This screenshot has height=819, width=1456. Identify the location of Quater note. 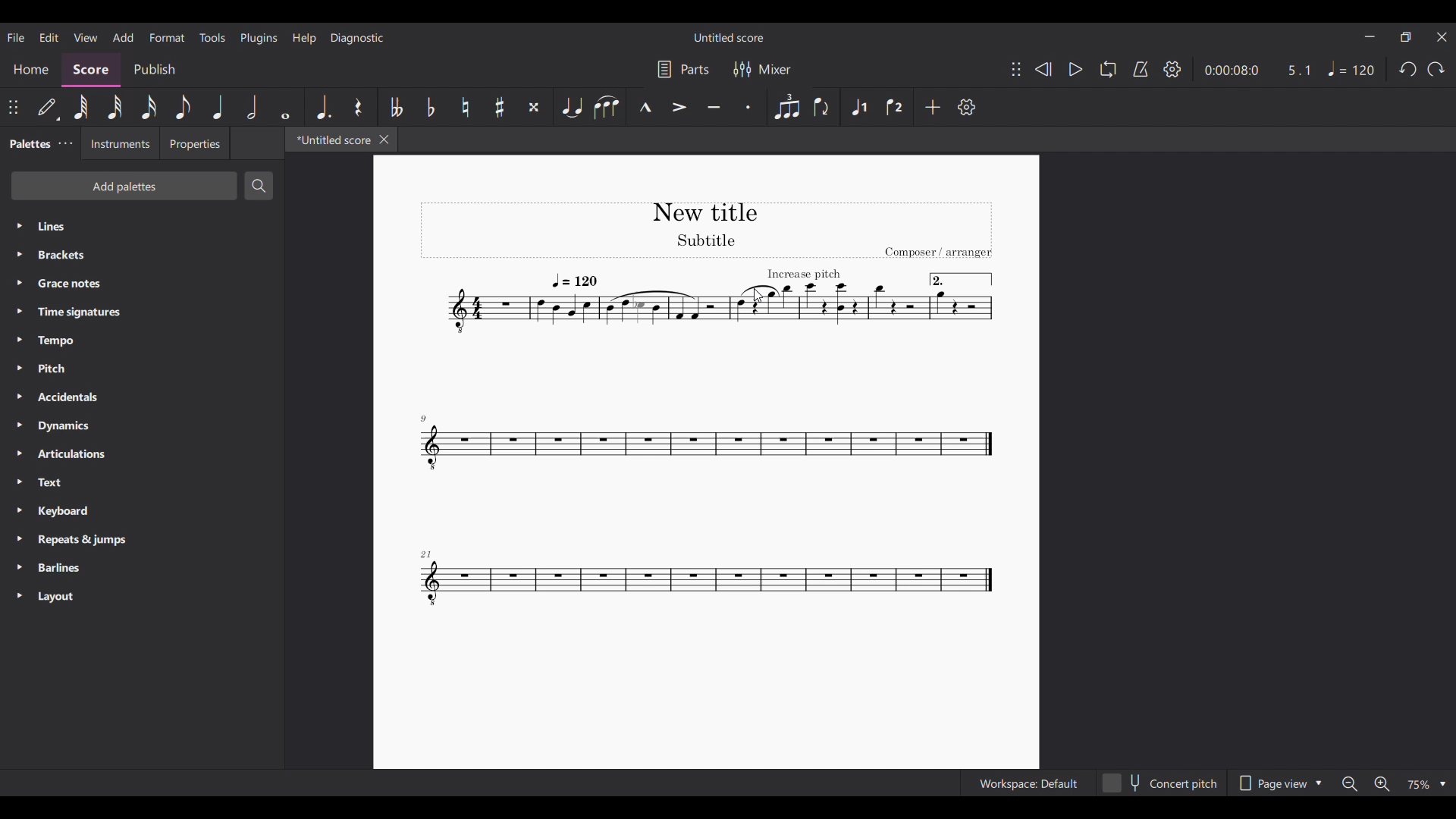
(218, 107).